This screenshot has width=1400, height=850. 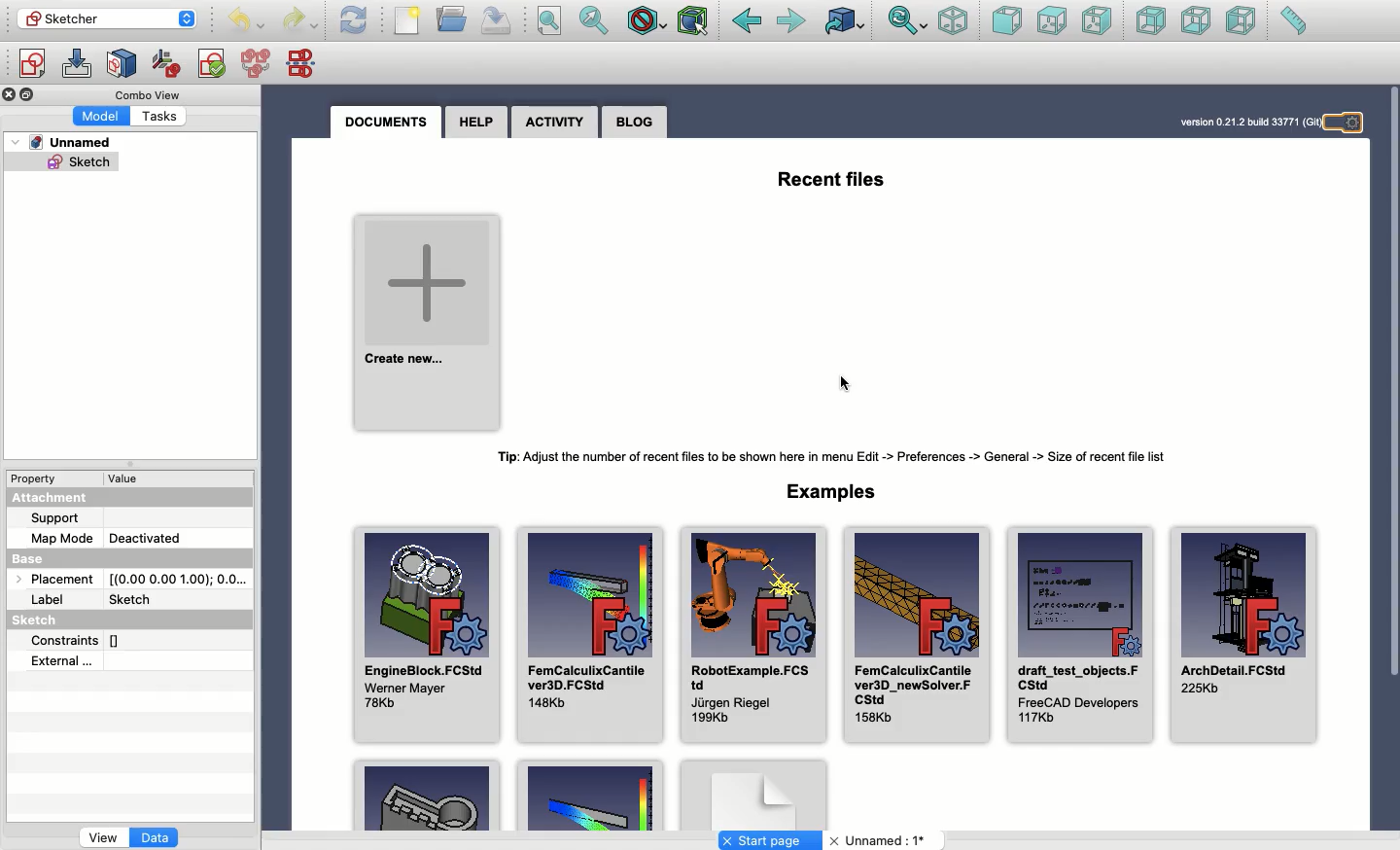 What do you see at coordinates (39, 477) in the screenshot?
I see `Property` at bounding box center [39, 477].